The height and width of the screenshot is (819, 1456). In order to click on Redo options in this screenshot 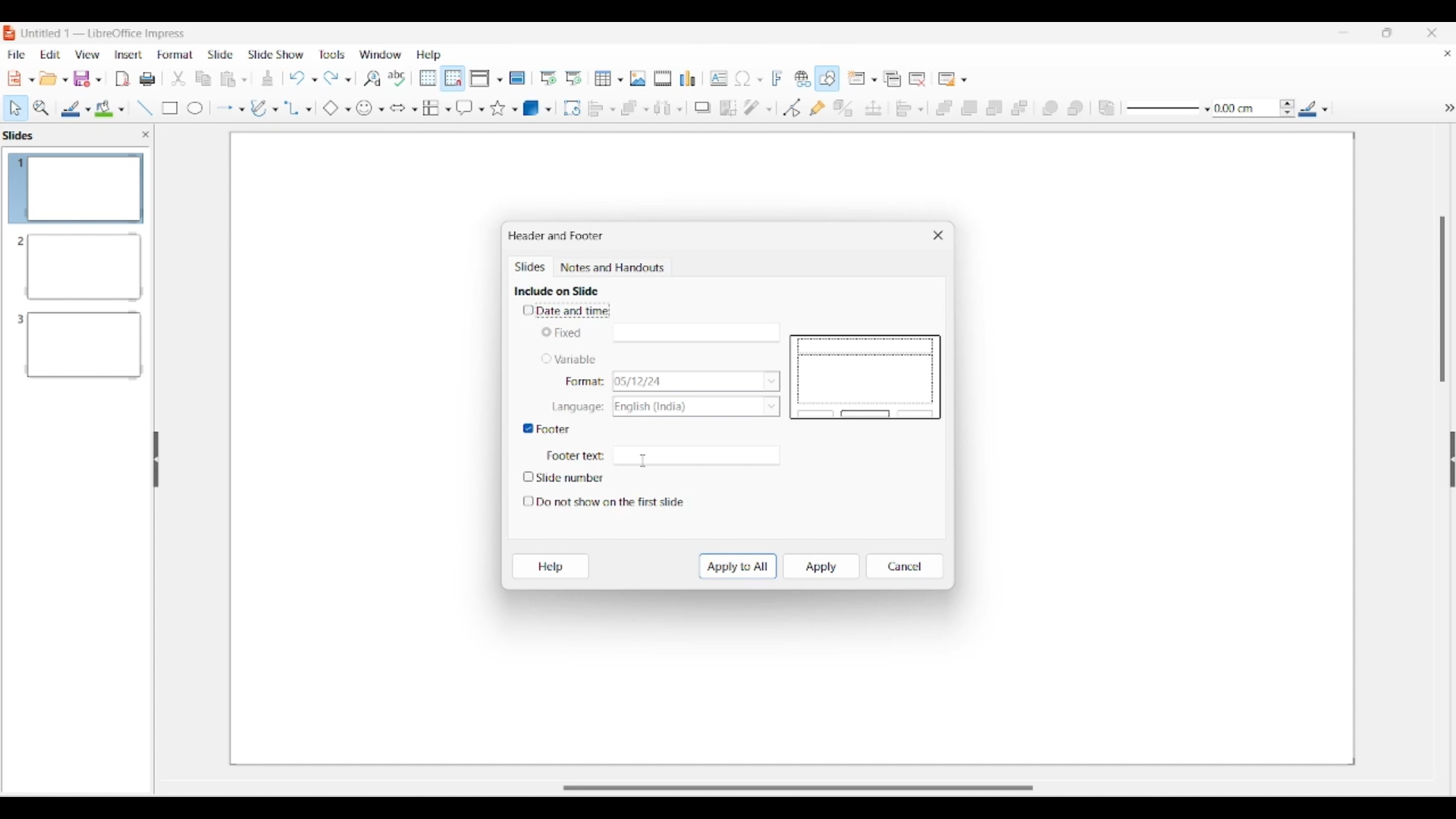, I will do `click(337, 77)`.